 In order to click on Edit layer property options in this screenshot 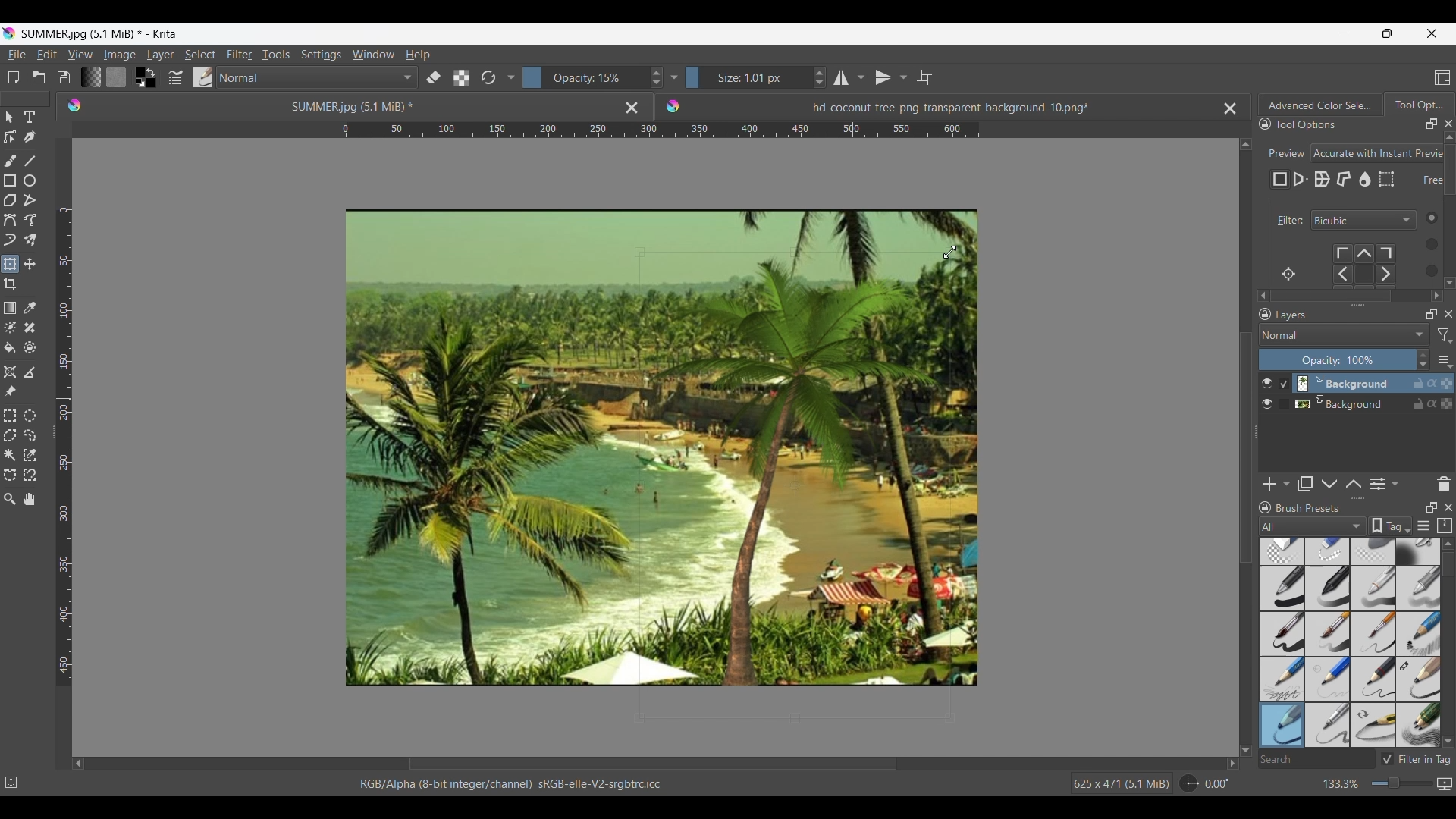, I will do `click(1395, 484)`.